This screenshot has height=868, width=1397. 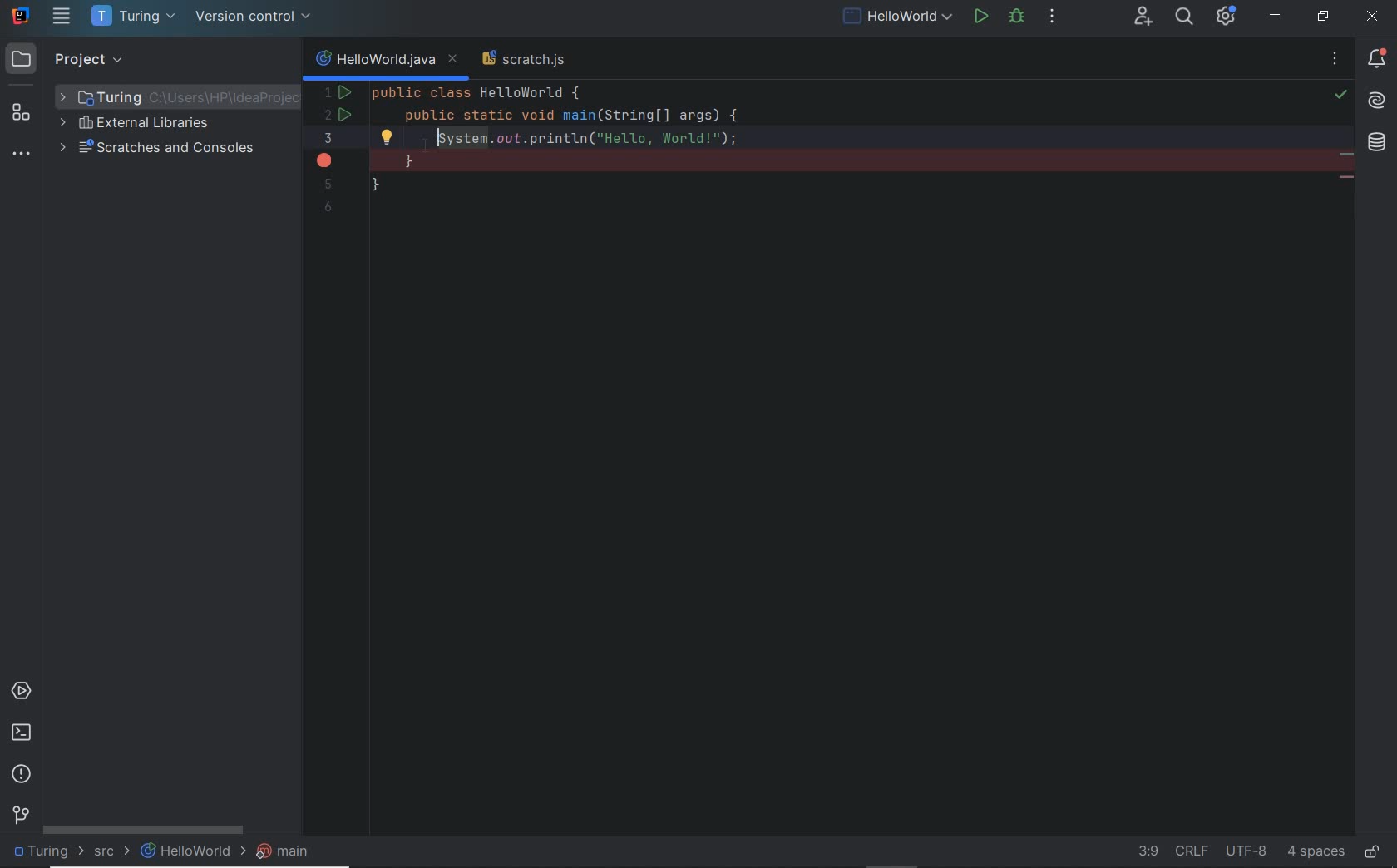 I want to click on scrollbar, so click(x=153, y=831).